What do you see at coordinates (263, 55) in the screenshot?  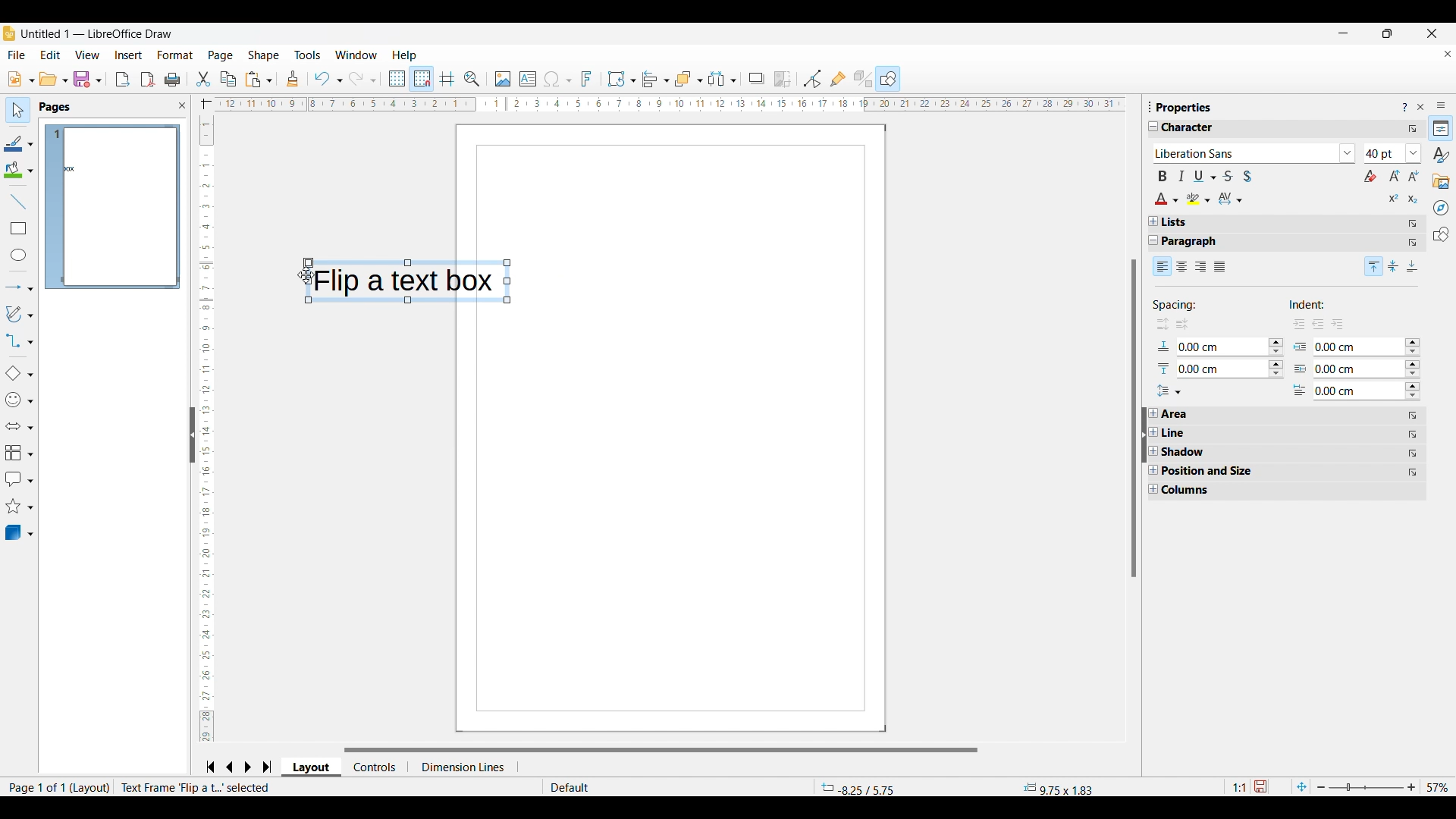 I see `Shape menu` at bounding box center [263, 55].